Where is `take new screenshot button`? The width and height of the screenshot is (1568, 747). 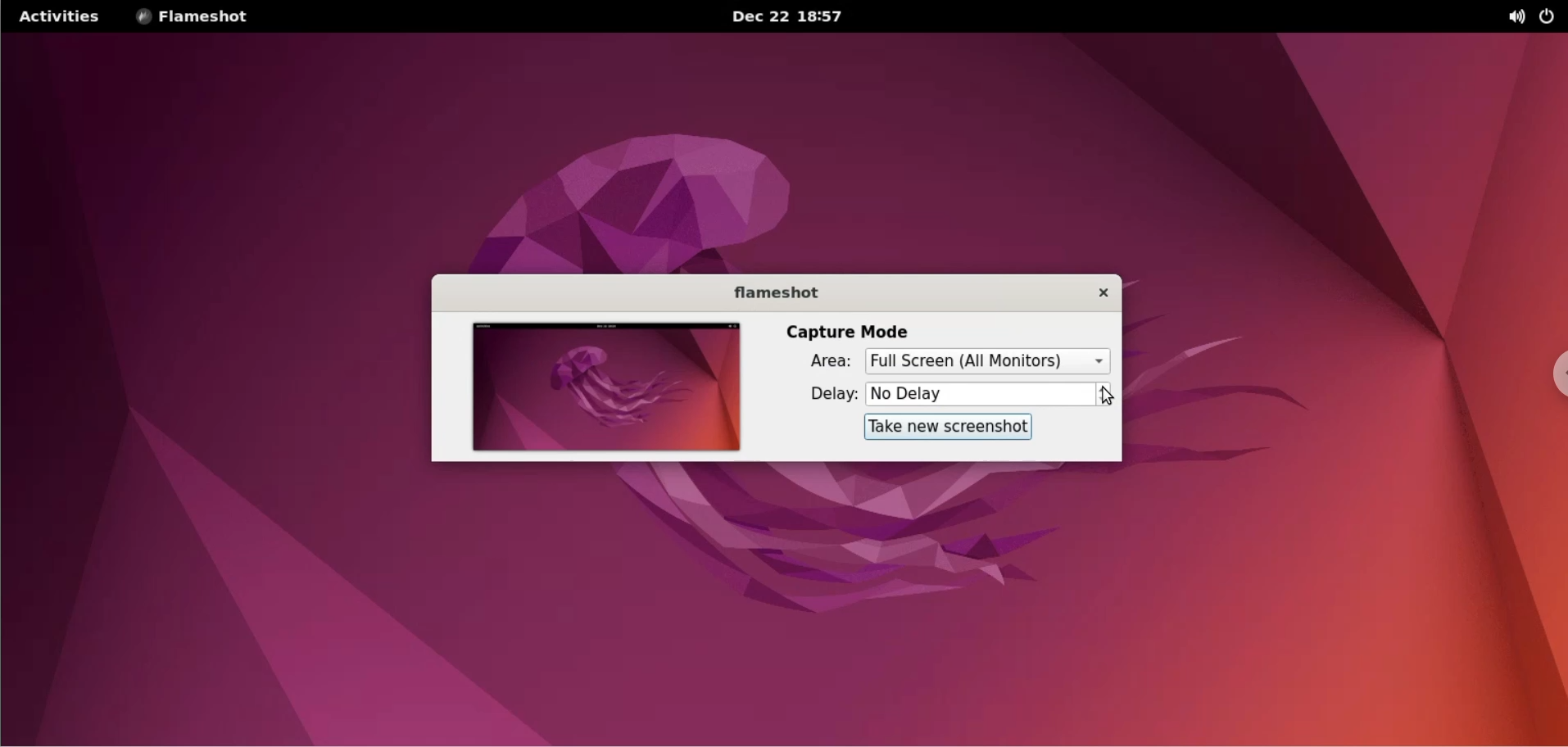
take new screenshot button is located at coordinates (942, 428).